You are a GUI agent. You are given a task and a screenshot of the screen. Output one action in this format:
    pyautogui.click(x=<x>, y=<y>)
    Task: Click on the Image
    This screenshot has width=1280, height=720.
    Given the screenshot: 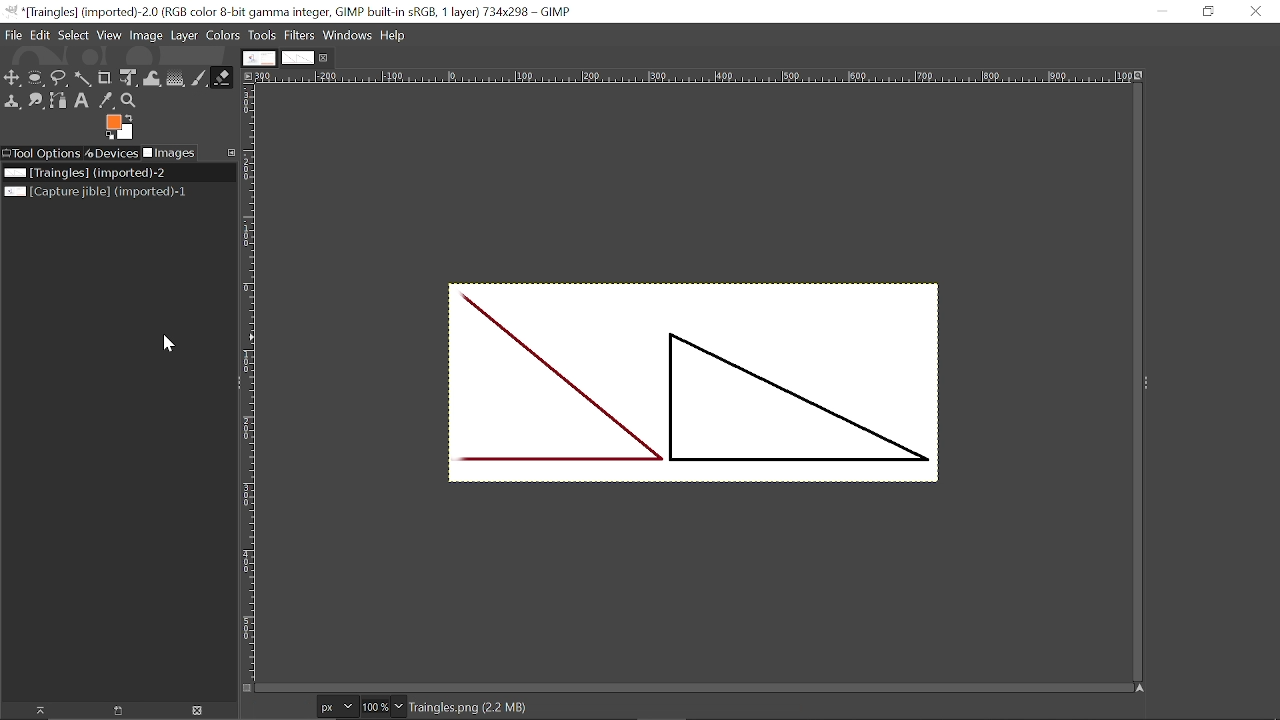 What is the action you would take?
    pyautogui.click(x=145, y=35)
    